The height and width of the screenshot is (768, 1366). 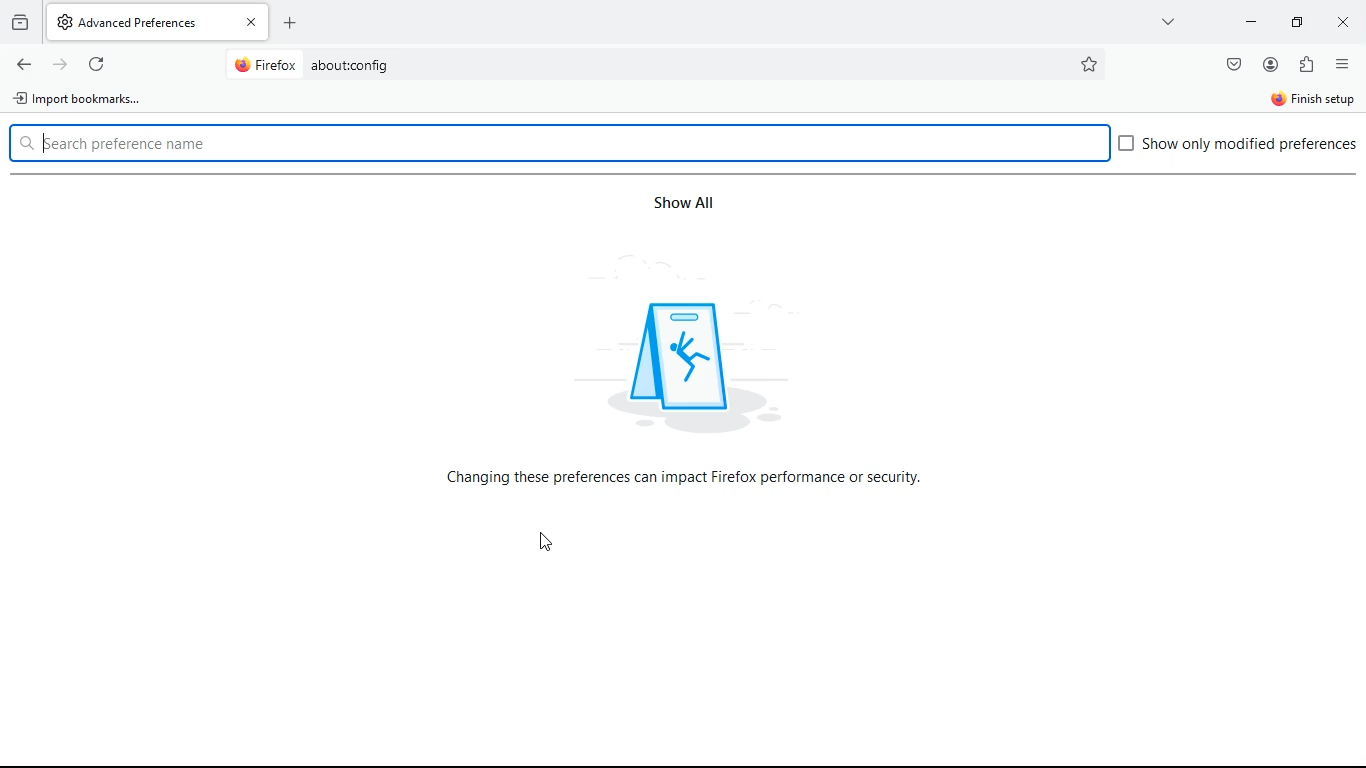 I want to click on icon, so click(x=691, y=360).